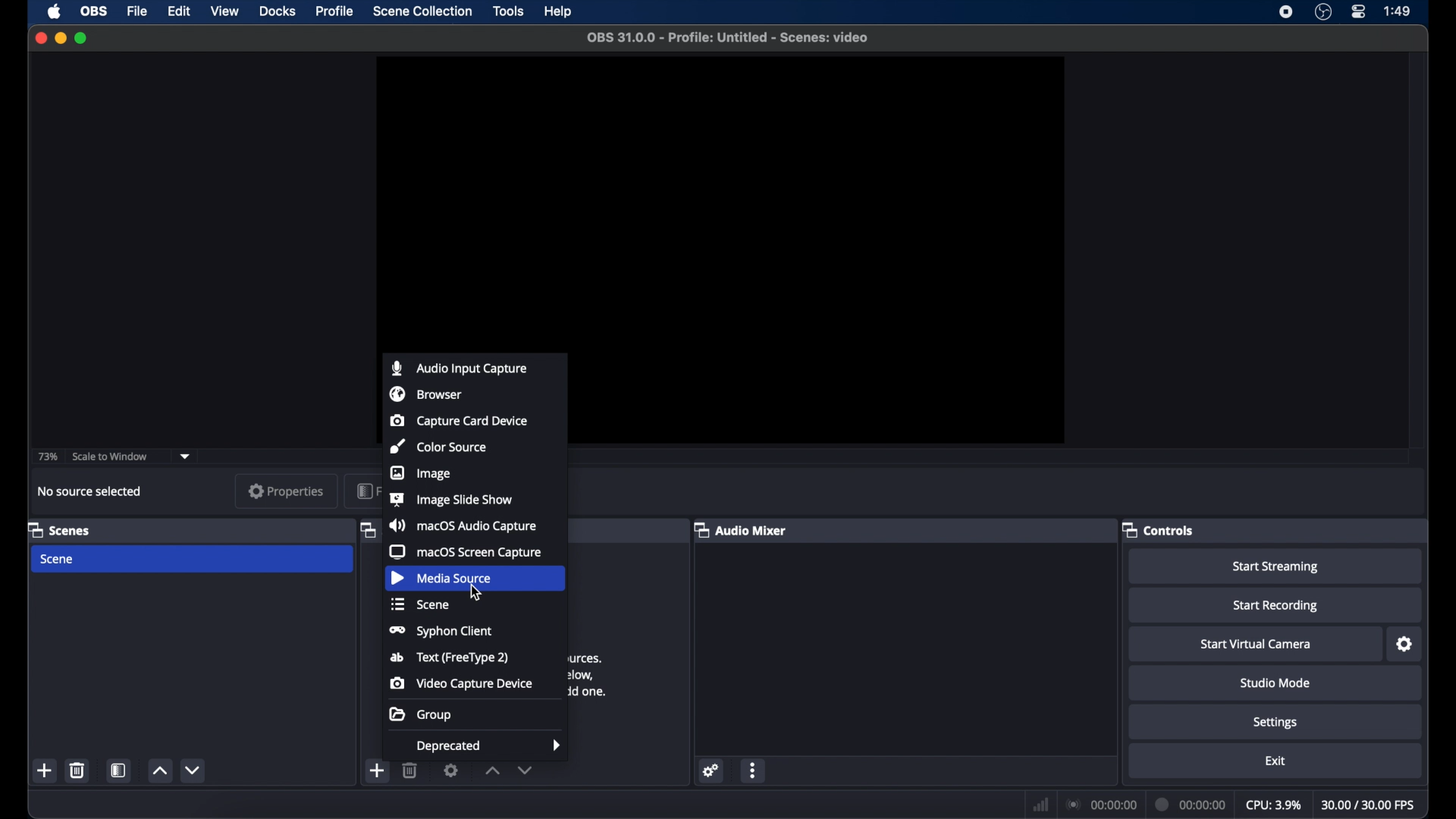 The height and width of the screenshot is (819, 1456). I want to click on start virtual camera, so click(1257, 644).